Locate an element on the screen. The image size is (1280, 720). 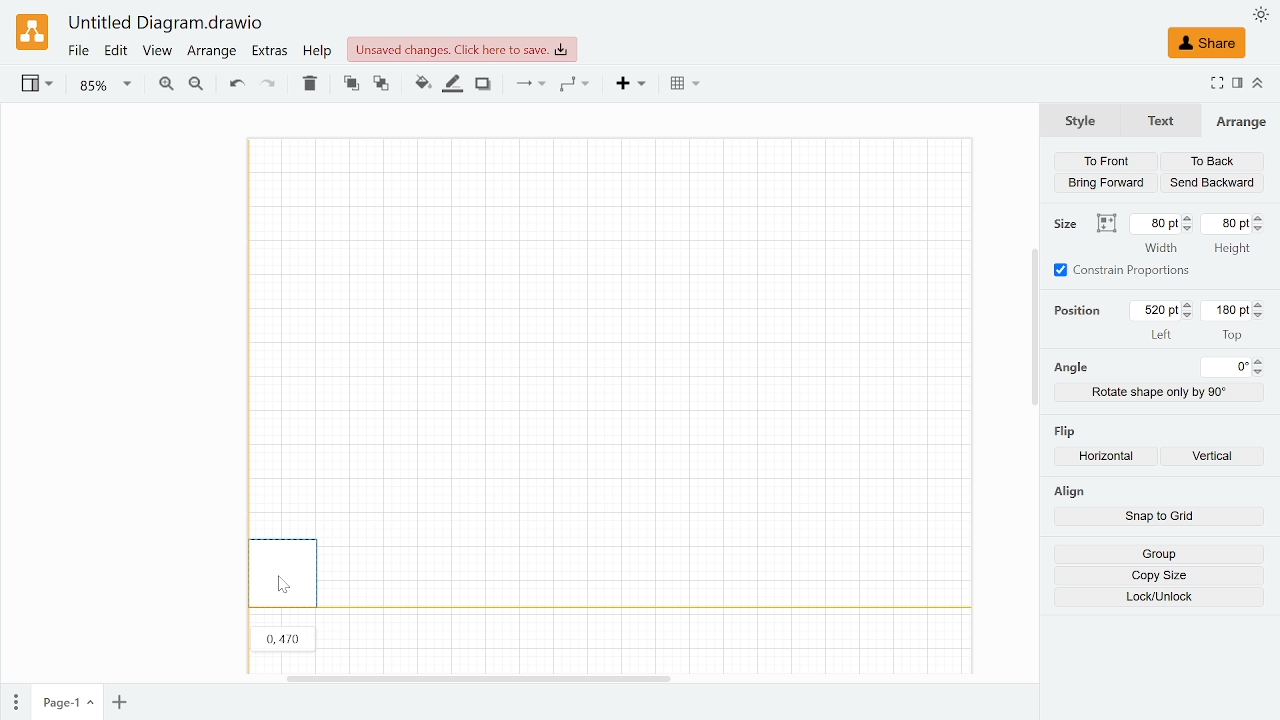
Constrain proportions is located at coordinates (1123, 270).